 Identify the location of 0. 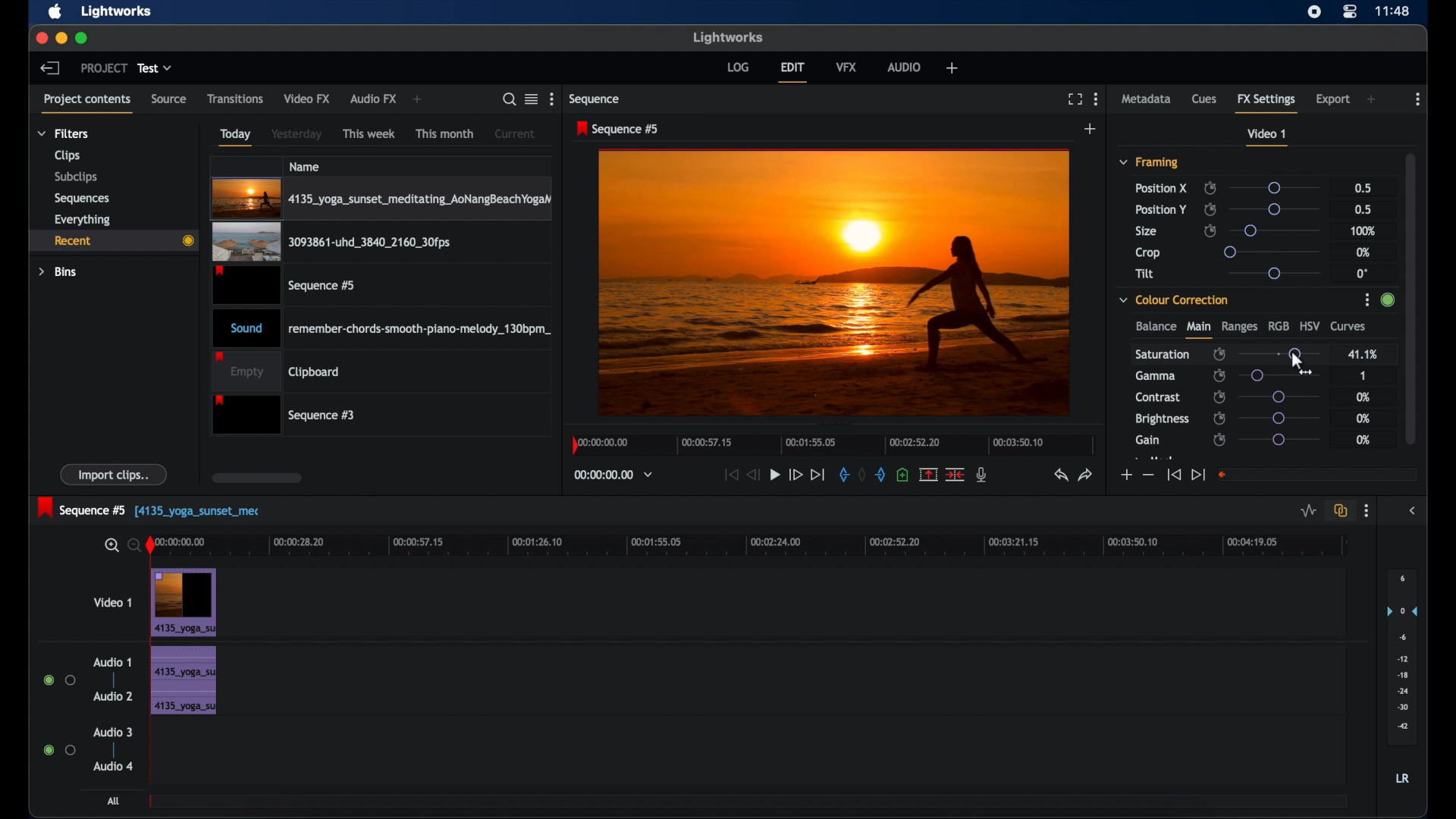
(1362, 273).